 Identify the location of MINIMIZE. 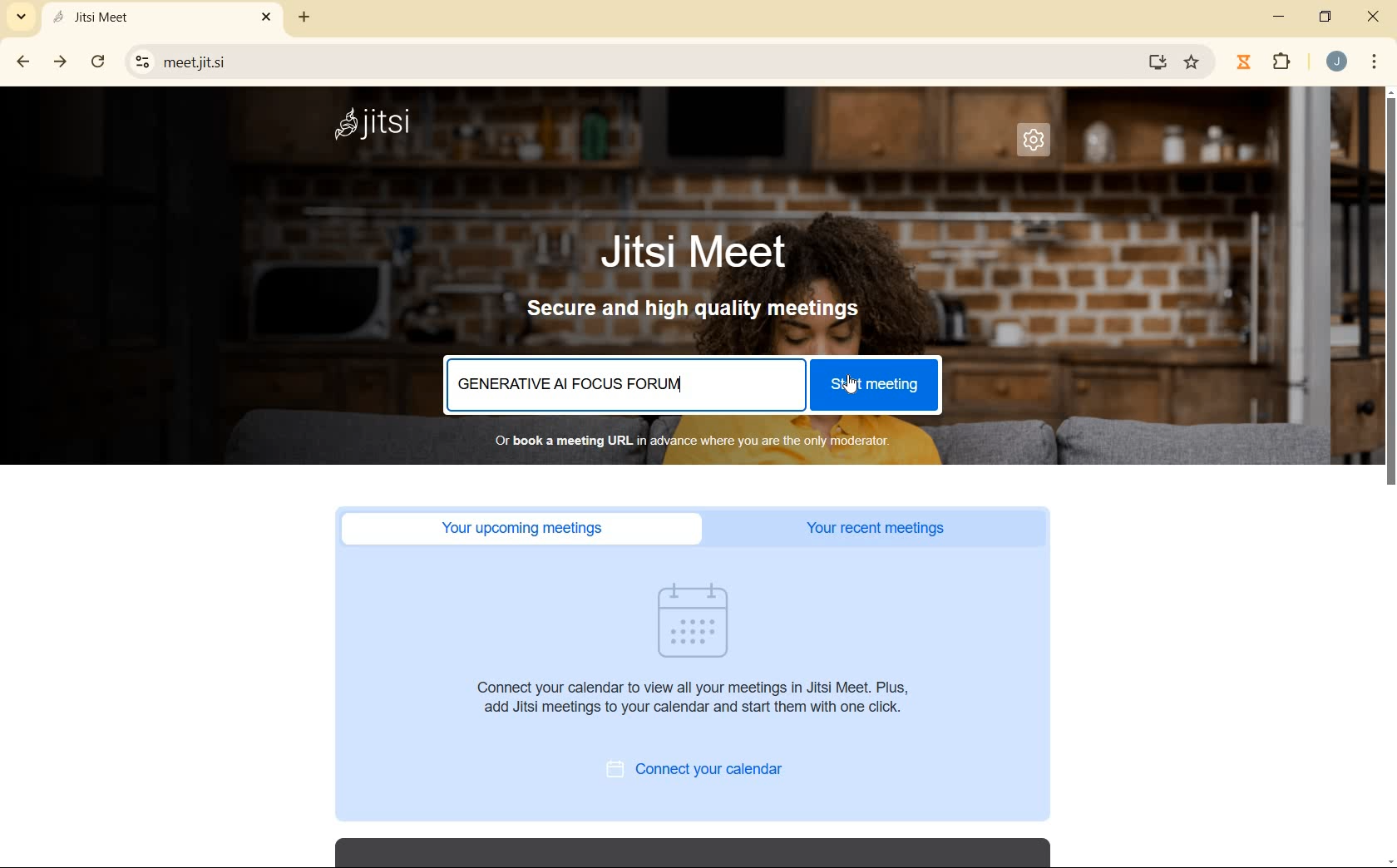
(1276, 17).